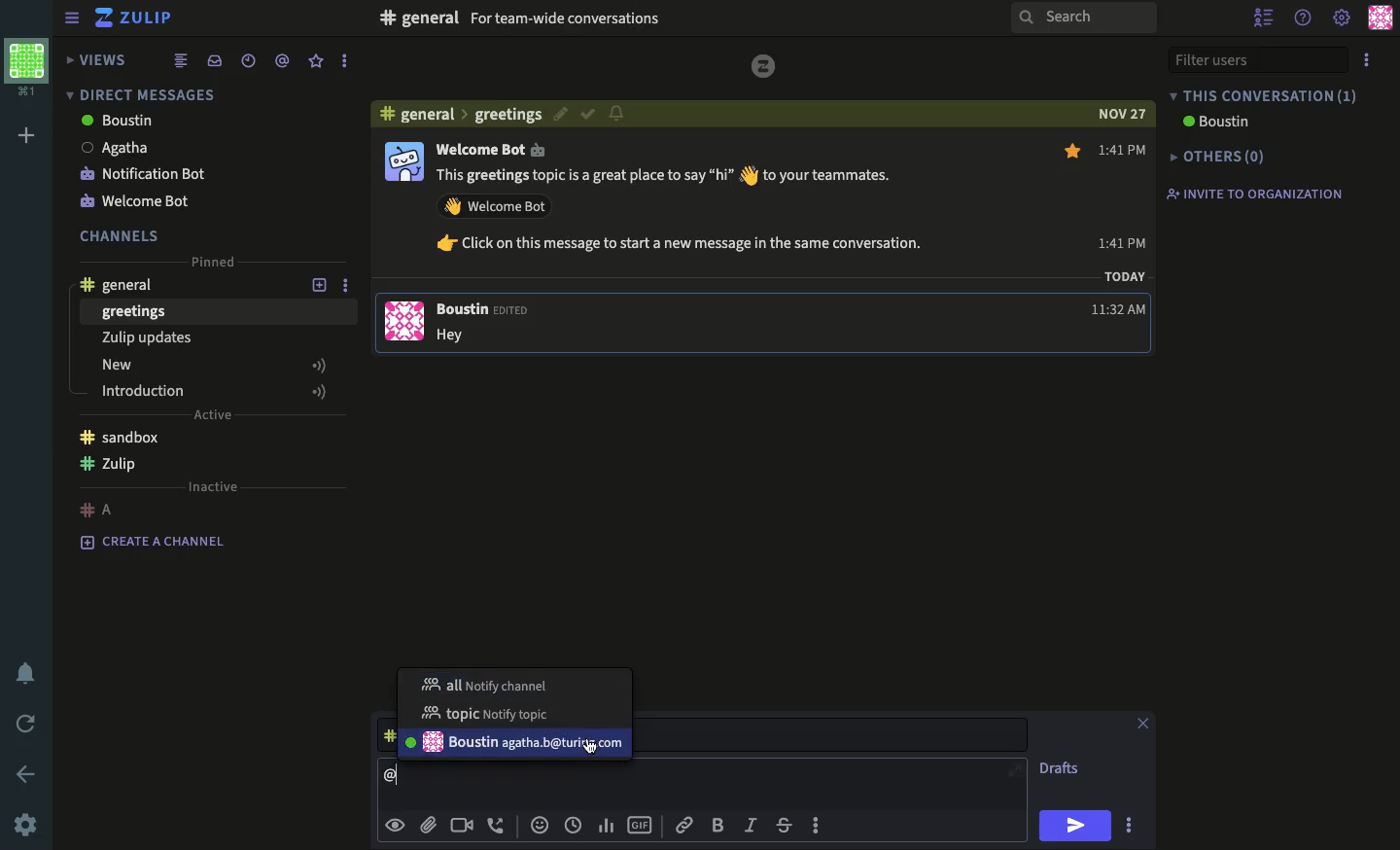 The image size is (1400, 850). Describe the element at coordinates (1264, 15) in the screenshot. I see `hide user list` at that location.